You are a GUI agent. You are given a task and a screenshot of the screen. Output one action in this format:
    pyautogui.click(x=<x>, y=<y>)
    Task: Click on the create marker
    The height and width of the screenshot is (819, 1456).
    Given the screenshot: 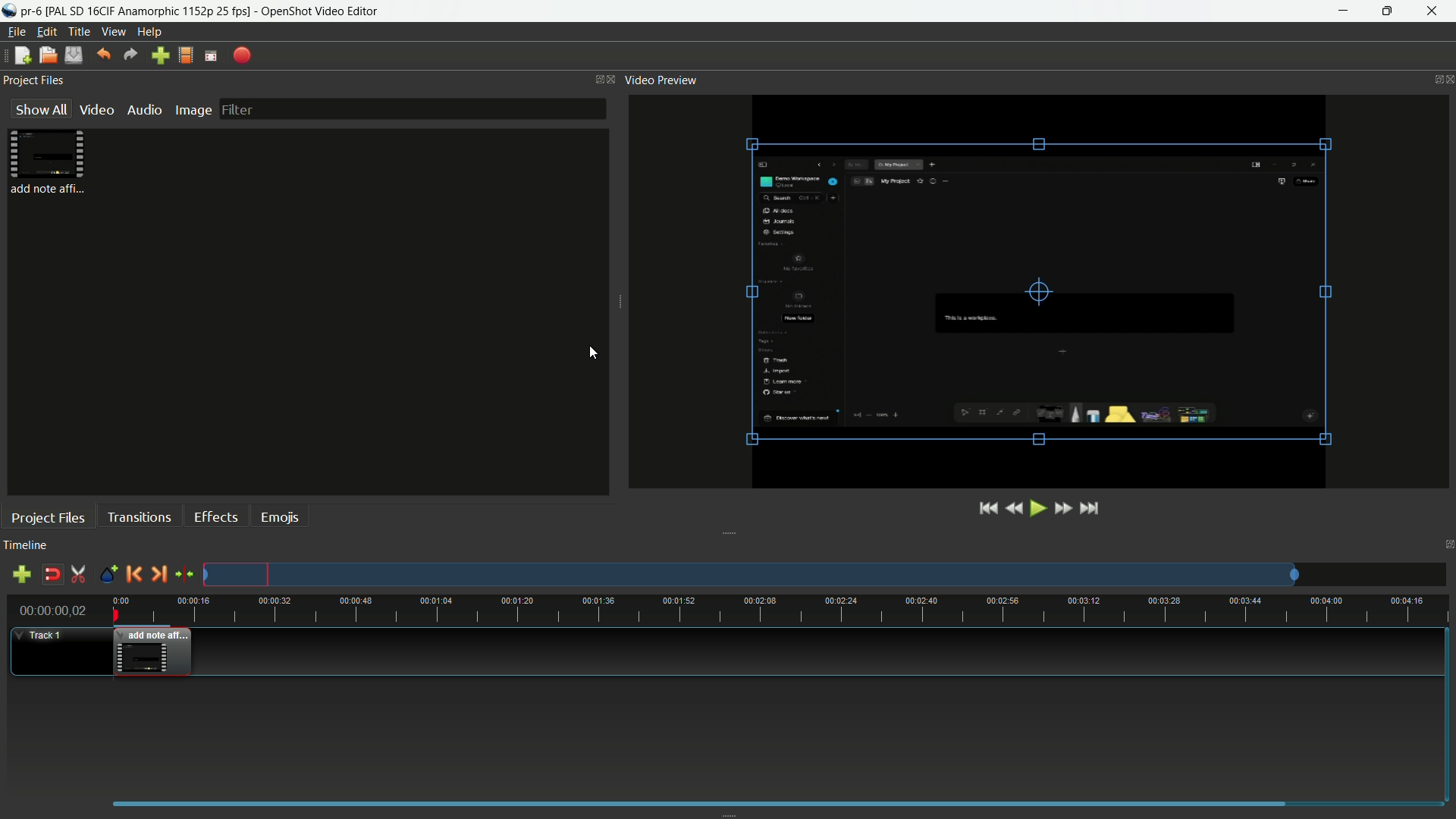 What is the action you would take?
    pyautogui.click(x=108, y=575)
    